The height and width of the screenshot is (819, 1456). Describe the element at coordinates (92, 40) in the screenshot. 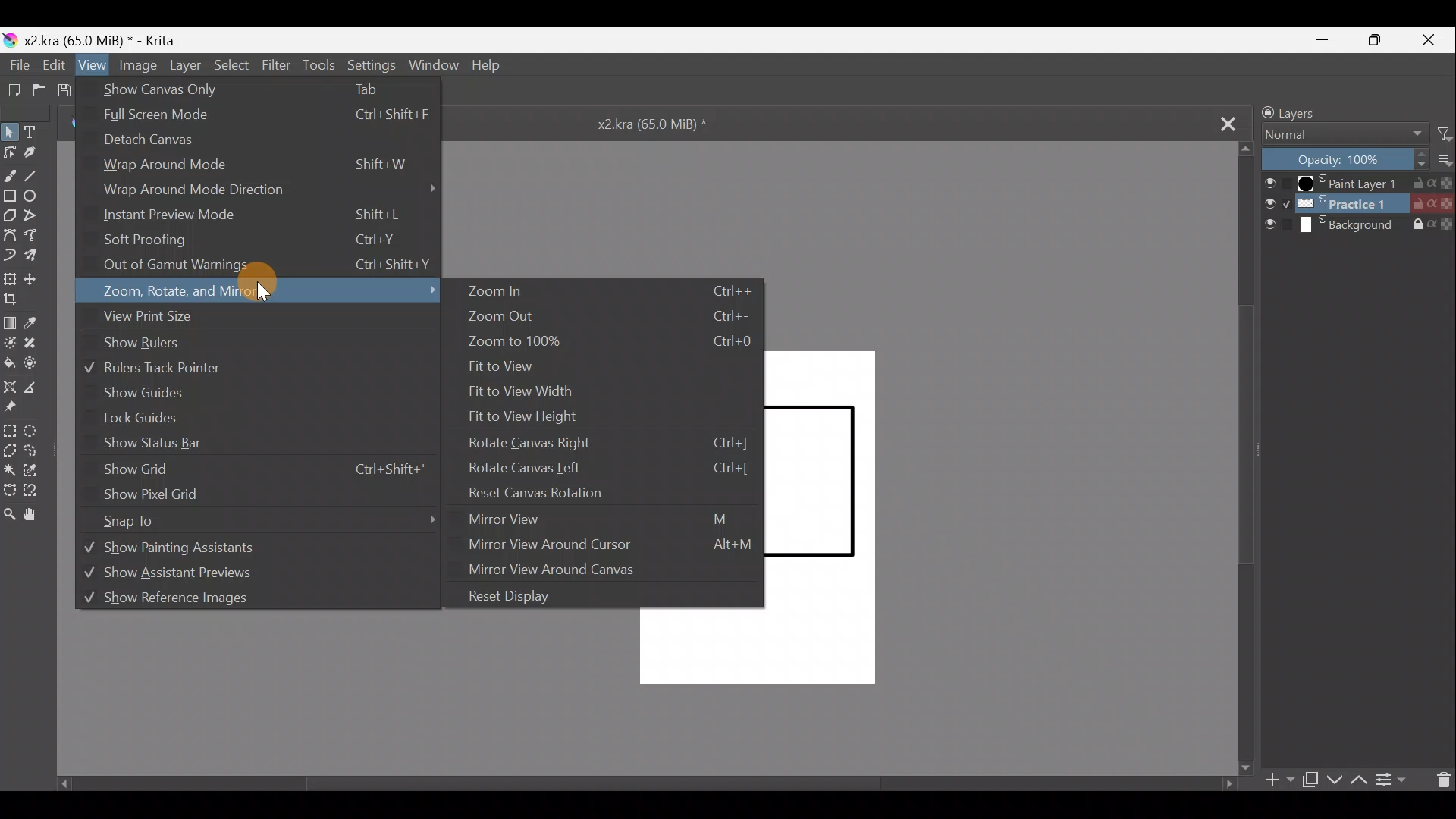

I see `x2.kra` at that location.